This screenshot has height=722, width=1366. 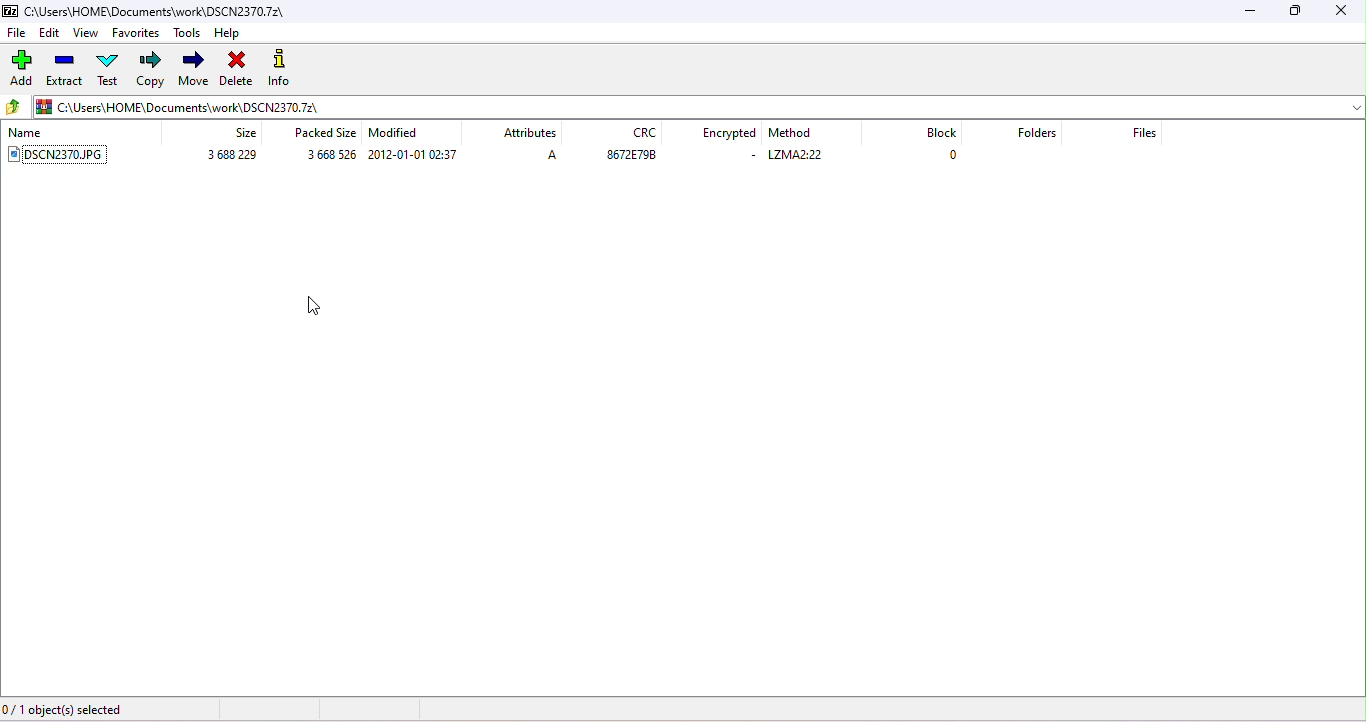 I want to click on file, so click(x=17, y=32).